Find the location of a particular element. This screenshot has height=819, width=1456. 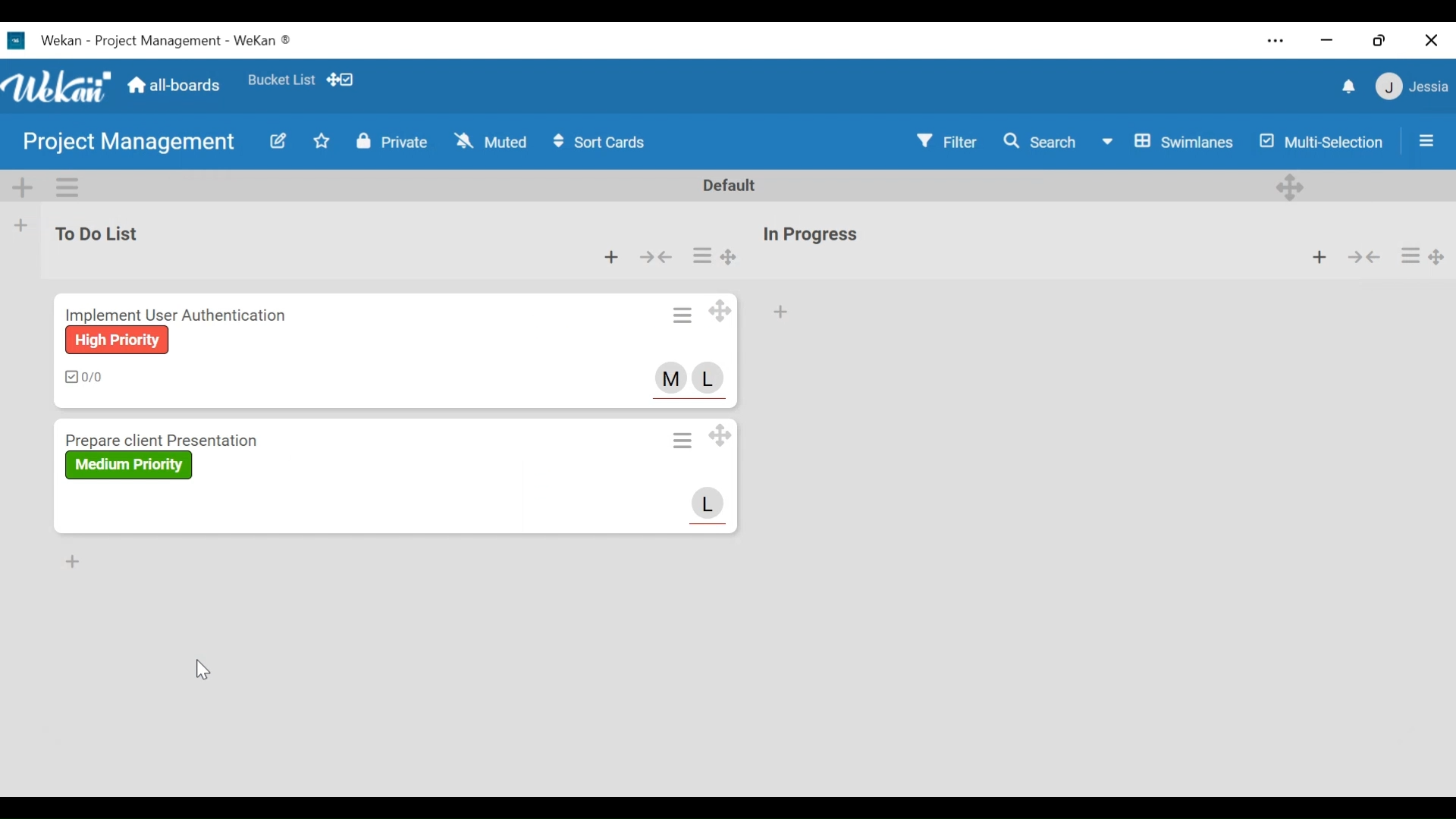

Card Title is located at coordinates (180, 313).